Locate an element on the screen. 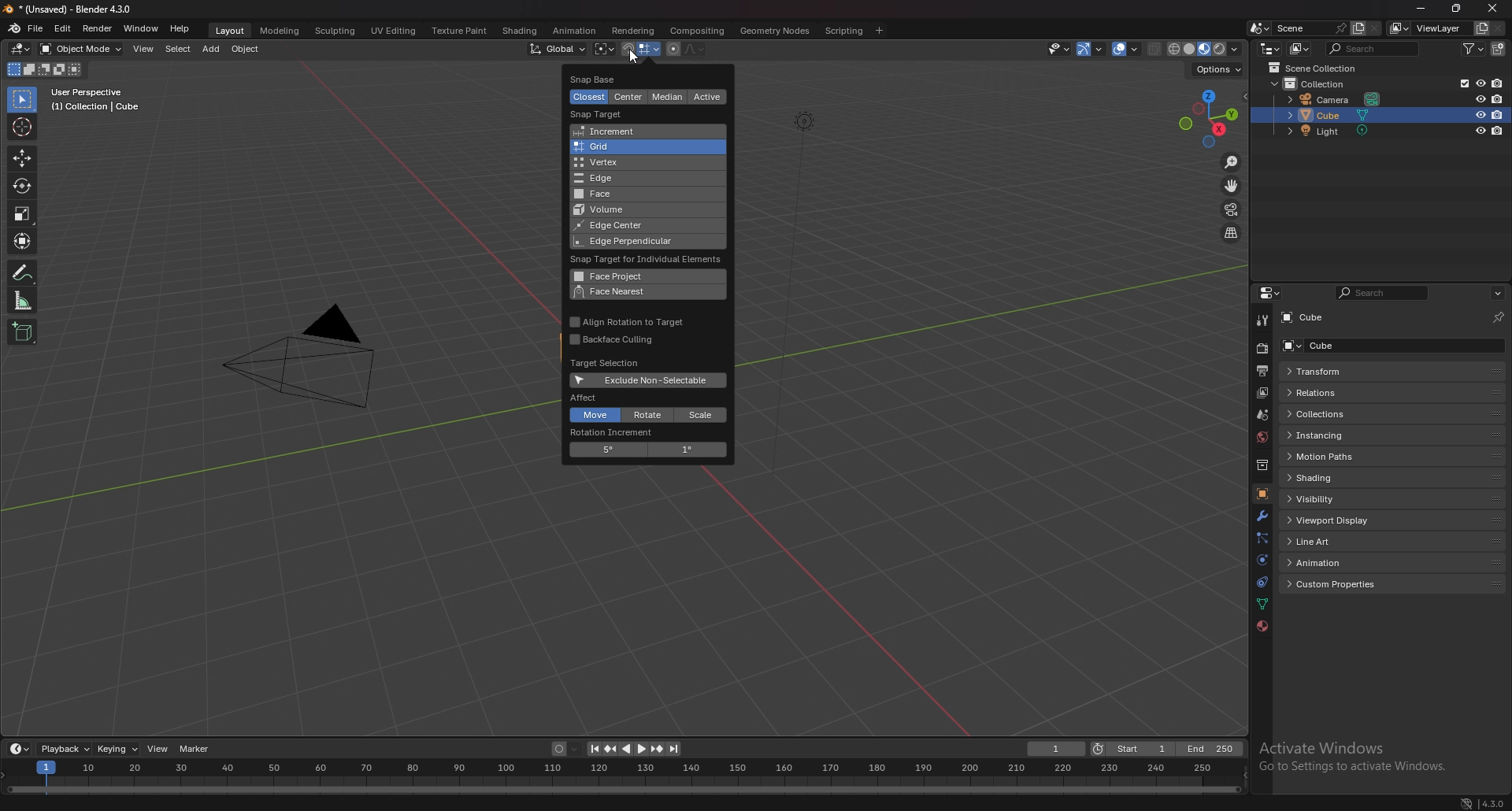 This screenshot has width=1512, height=811. cube is located at coordinates (1340, 345).